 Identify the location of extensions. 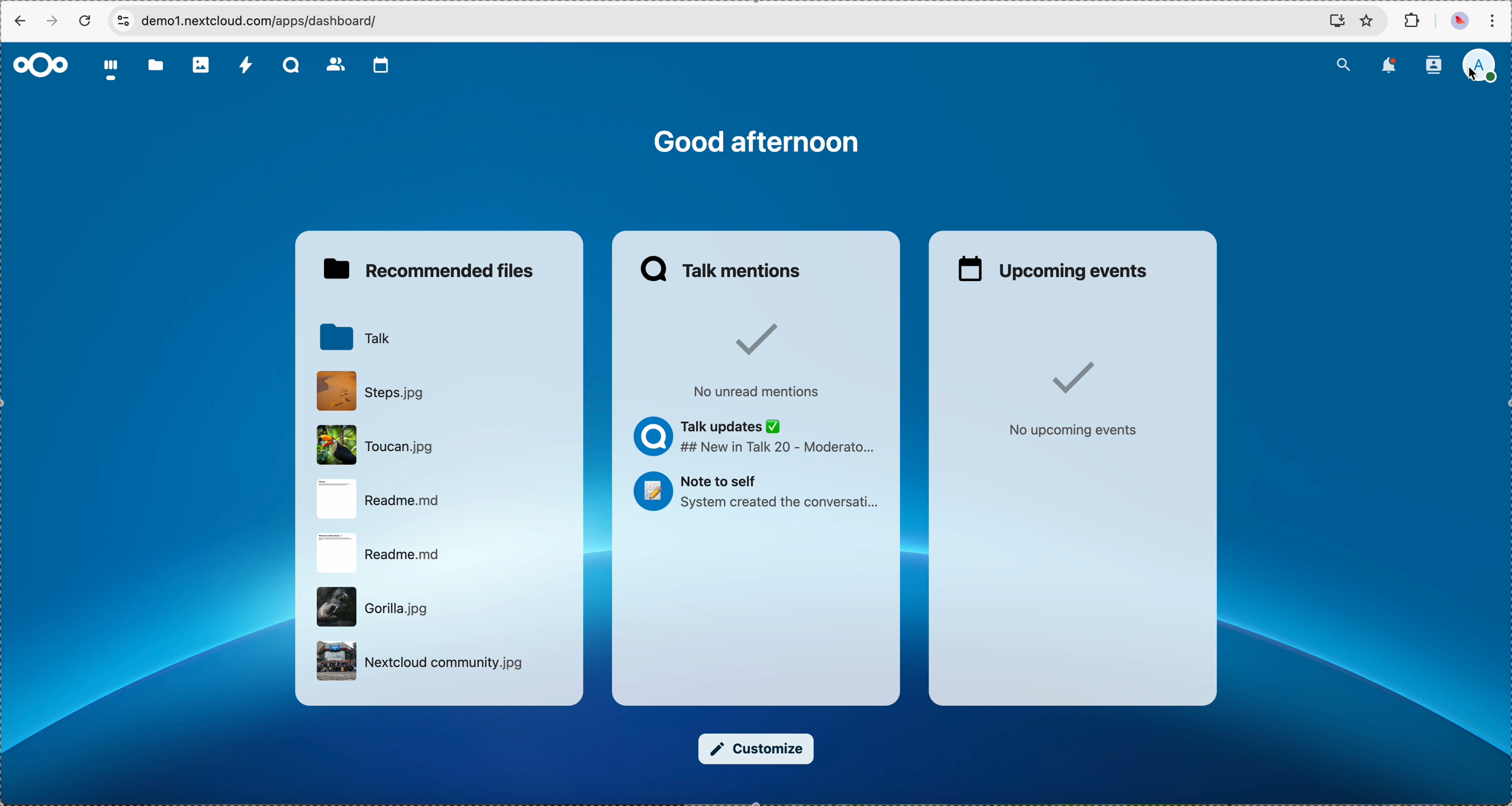
(1413, 21).